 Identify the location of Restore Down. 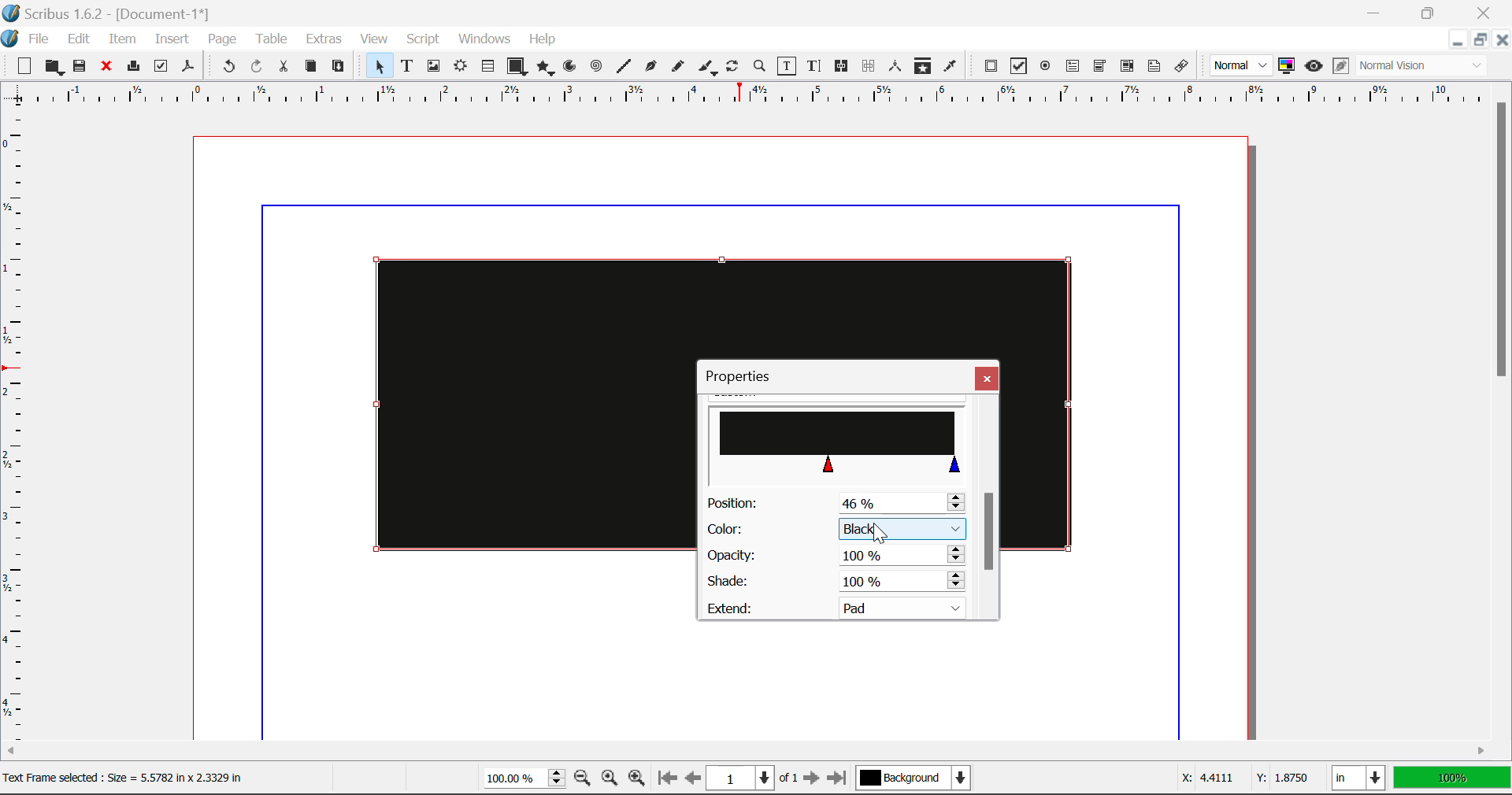
(1376, 11).